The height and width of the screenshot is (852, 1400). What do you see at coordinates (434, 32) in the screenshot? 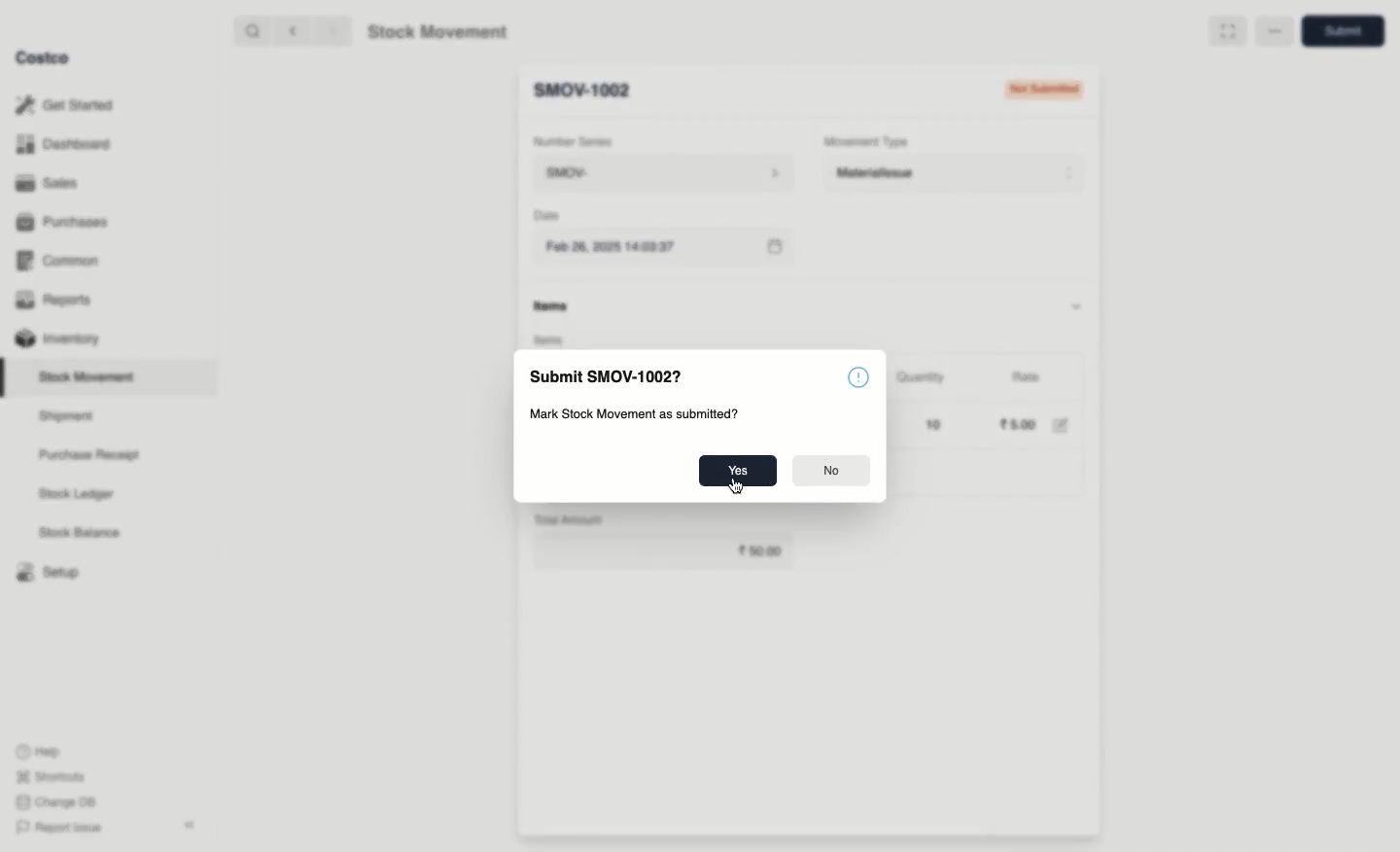
I see `Stock Movement` at bounding box center [434, 32].